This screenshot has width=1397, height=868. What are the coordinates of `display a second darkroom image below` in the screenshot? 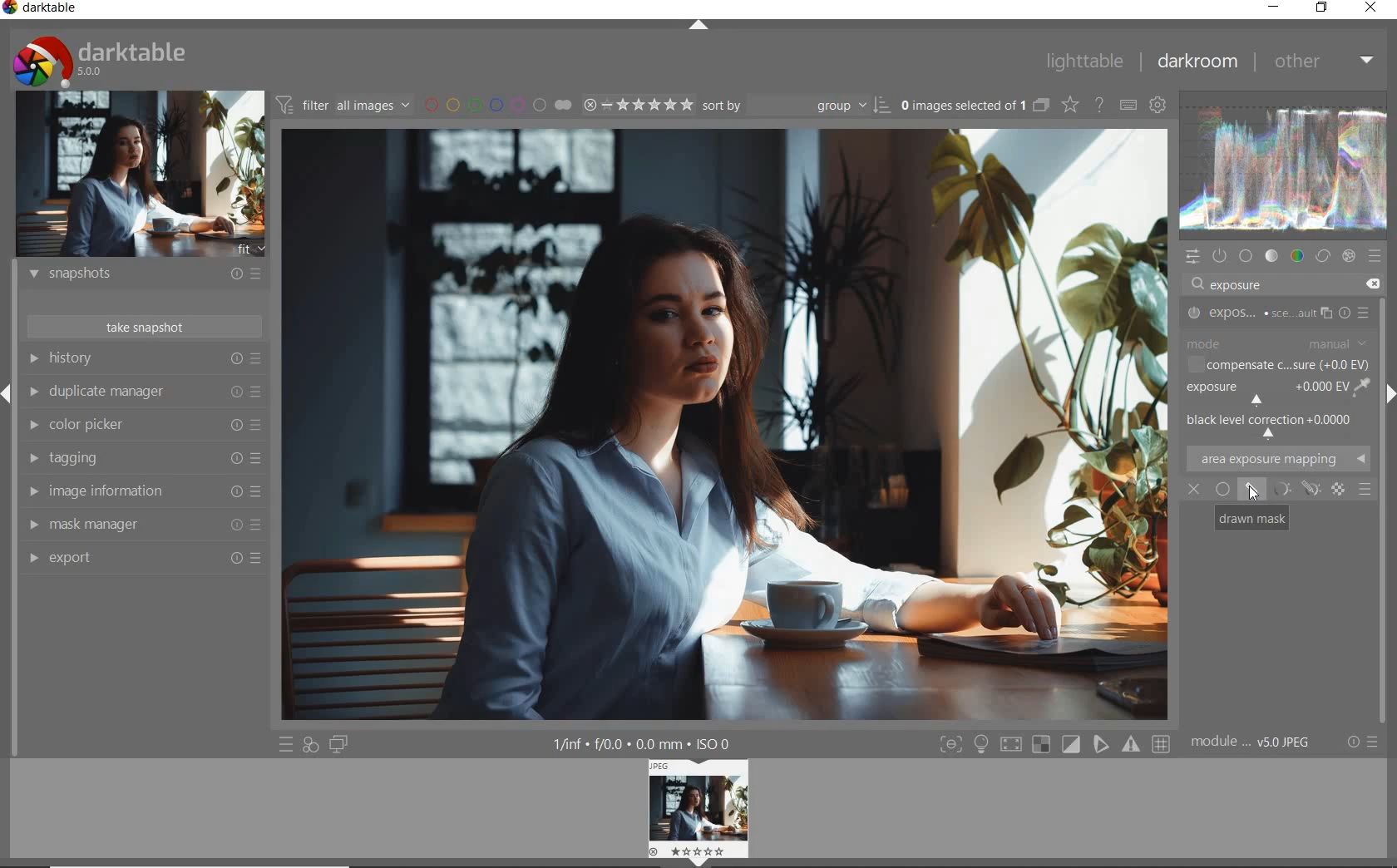 It's located at (339, 745).